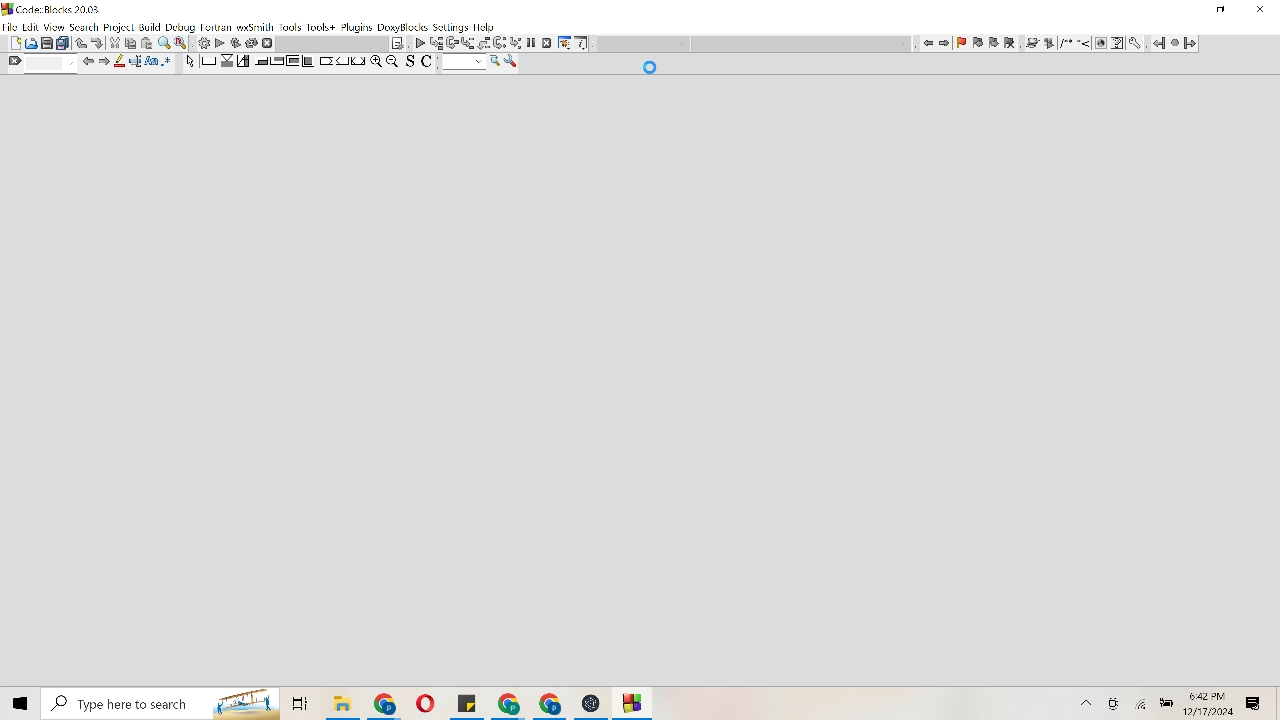  What do you see at coordinates (243, 43) in the screenshot?
I see `Reverse` at bounding box center [243, 43].